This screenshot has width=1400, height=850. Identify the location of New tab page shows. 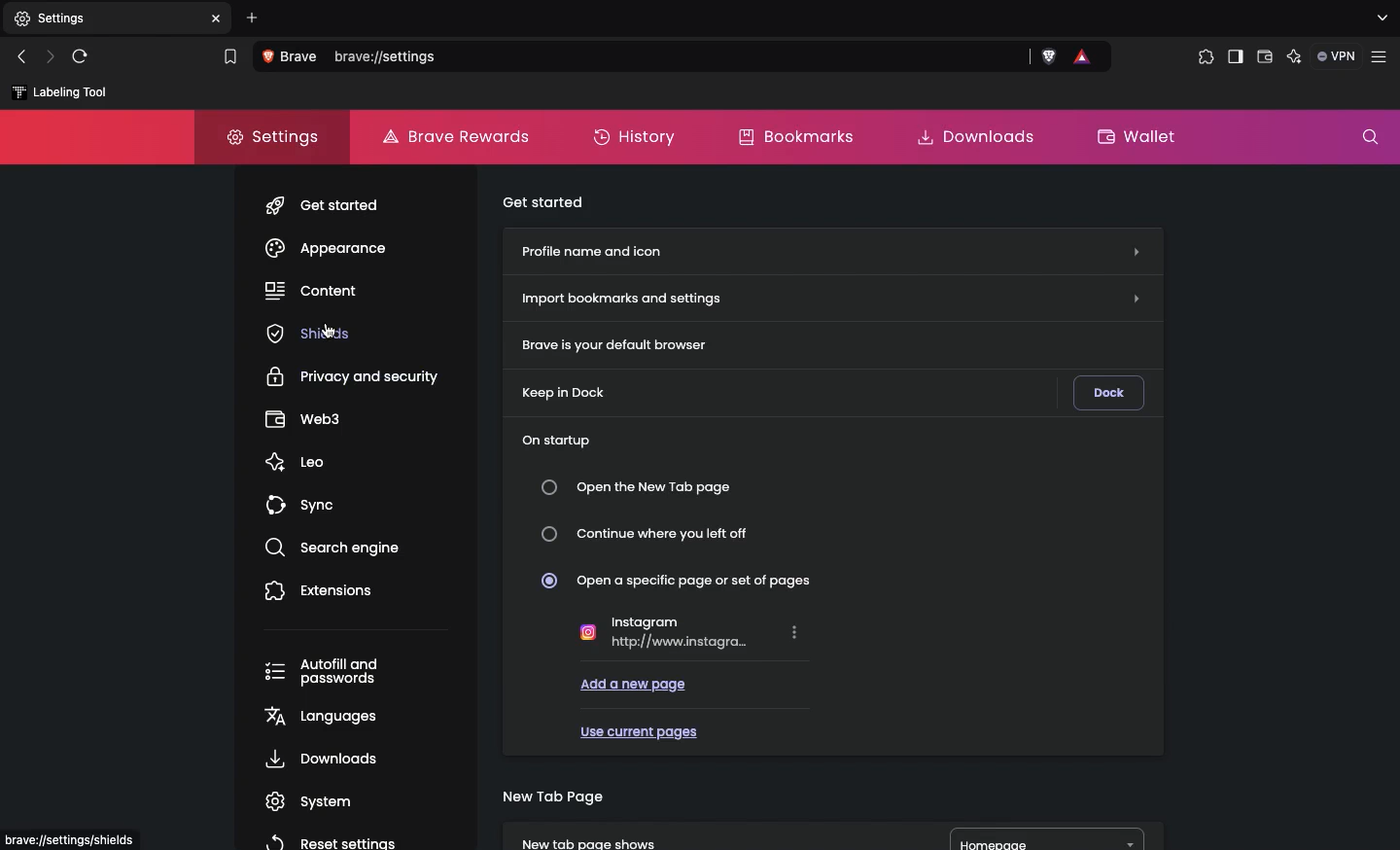
(713, 836).